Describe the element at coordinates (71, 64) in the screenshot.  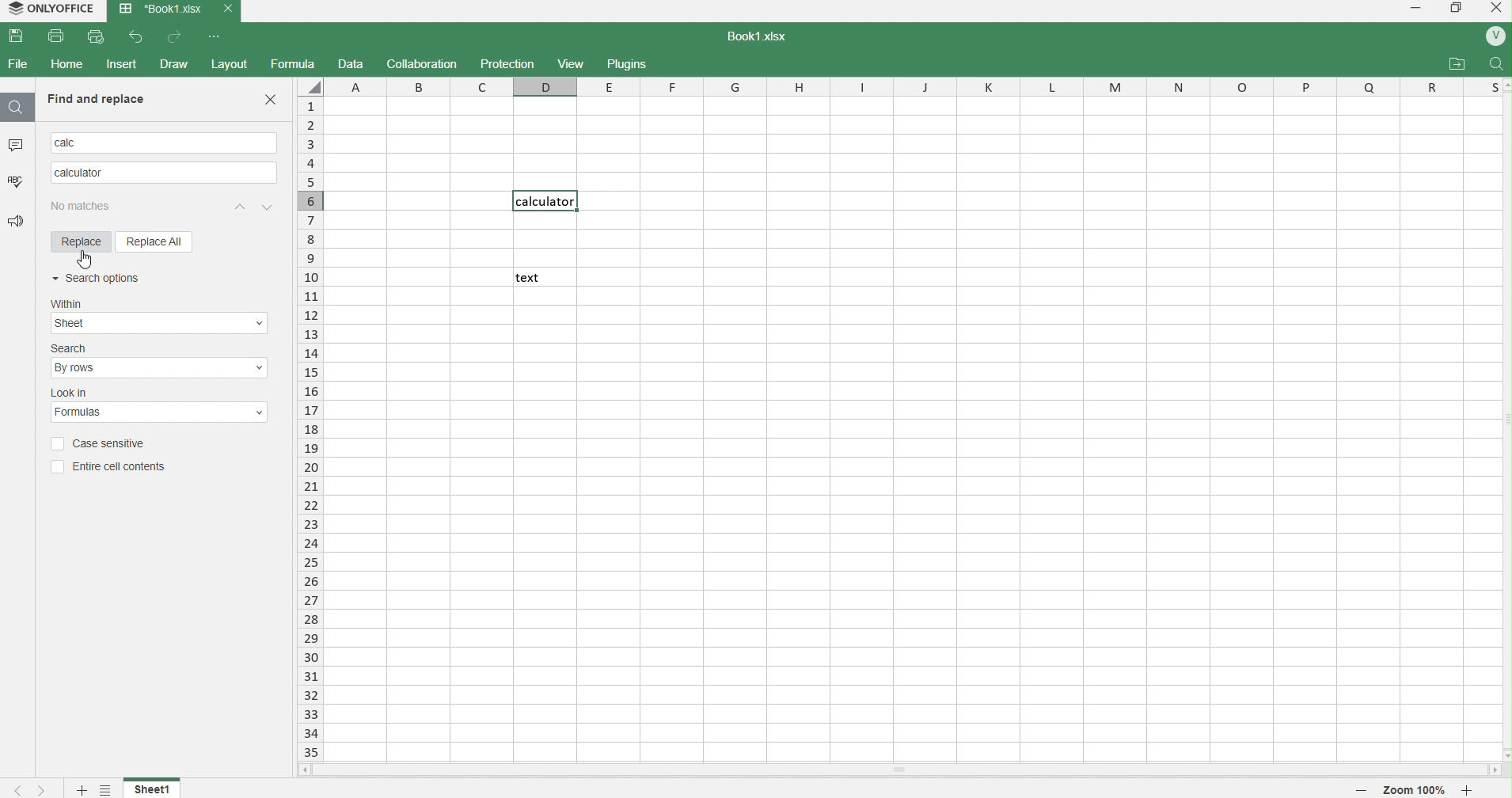
I see `home` at that location.